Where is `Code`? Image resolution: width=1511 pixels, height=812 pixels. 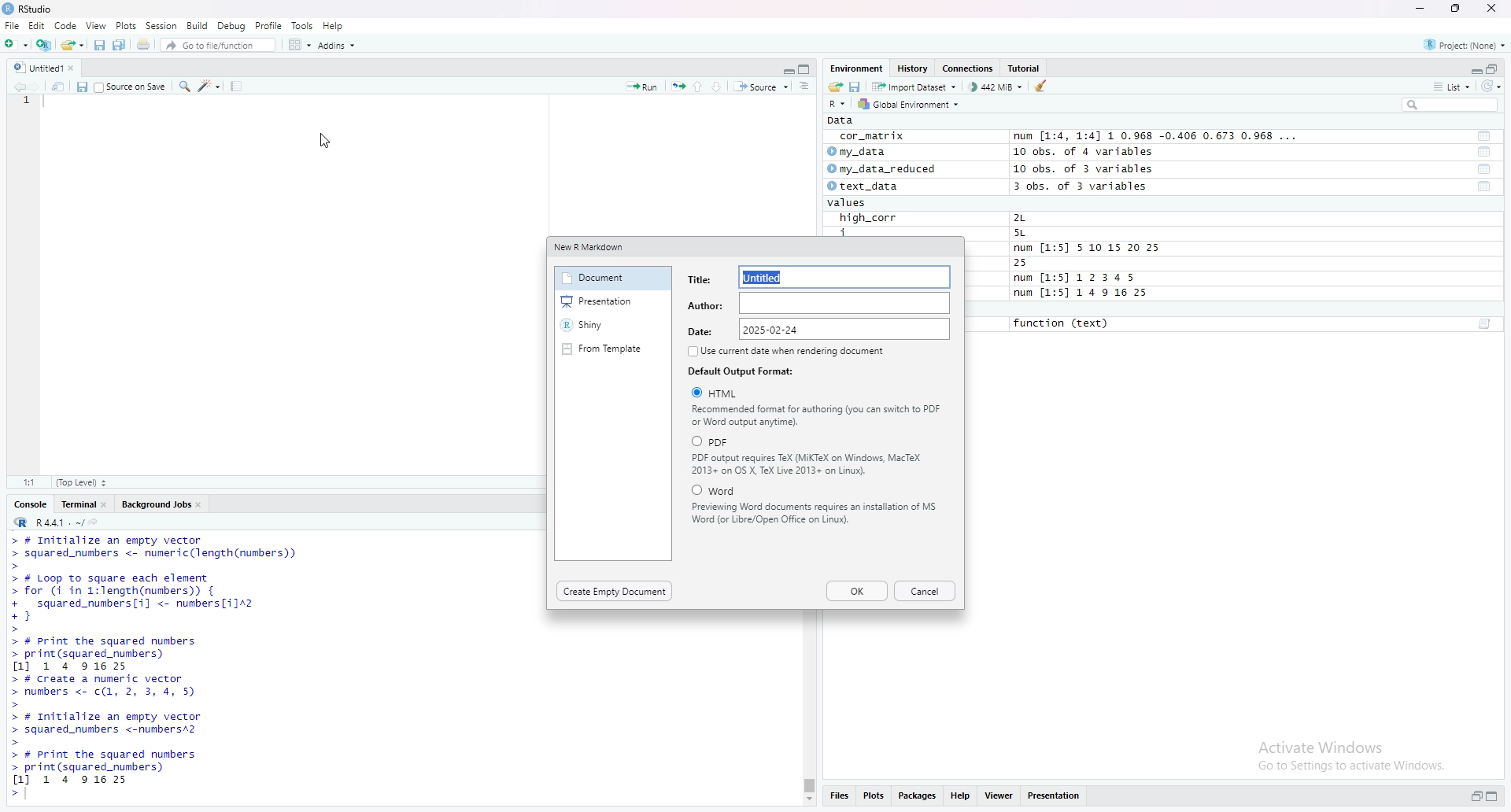
Code is located at coordinates (65, 26).